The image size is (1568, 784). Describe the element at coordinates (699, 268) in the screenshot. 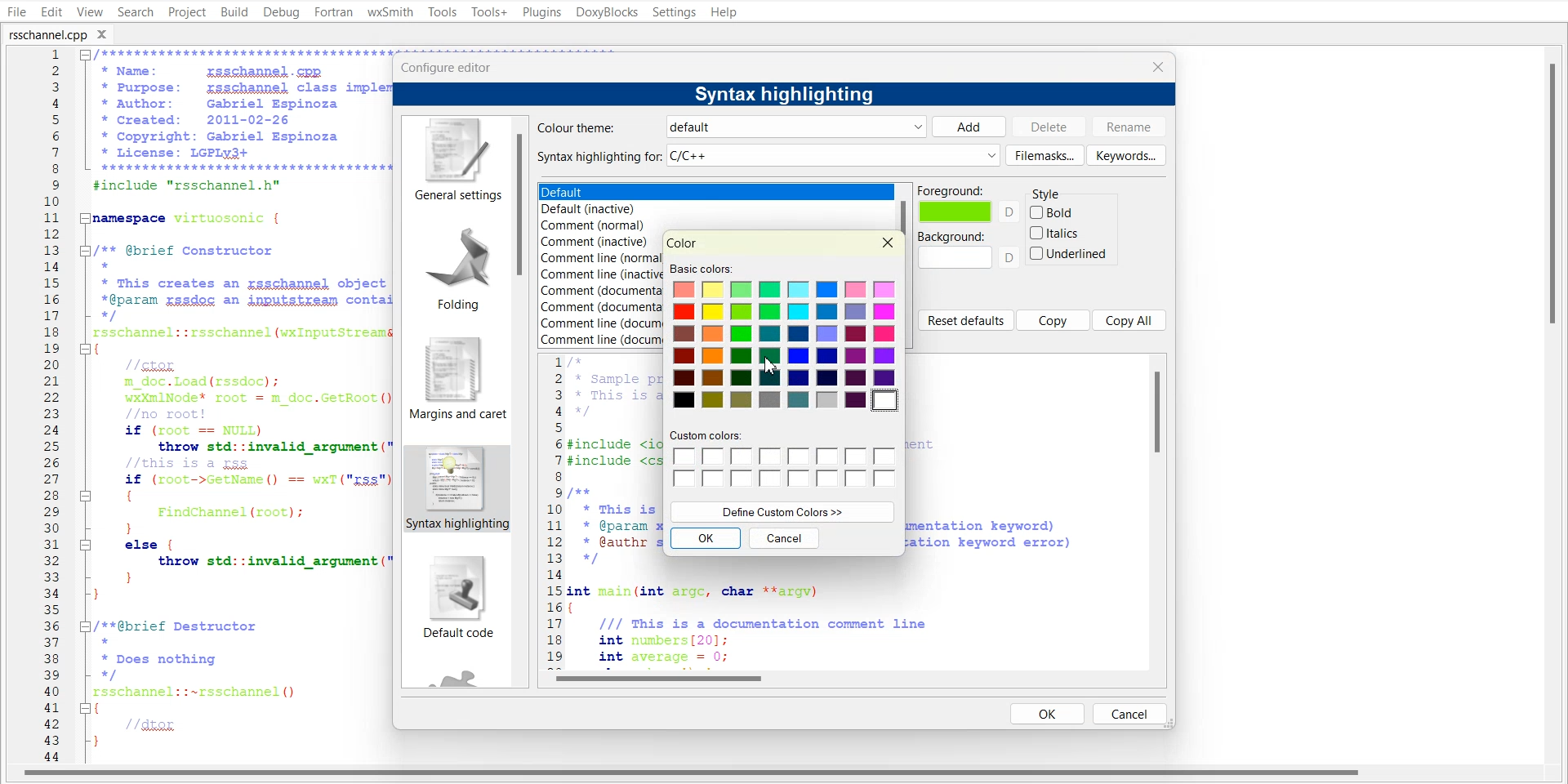

I see `Basic colors` at that location.